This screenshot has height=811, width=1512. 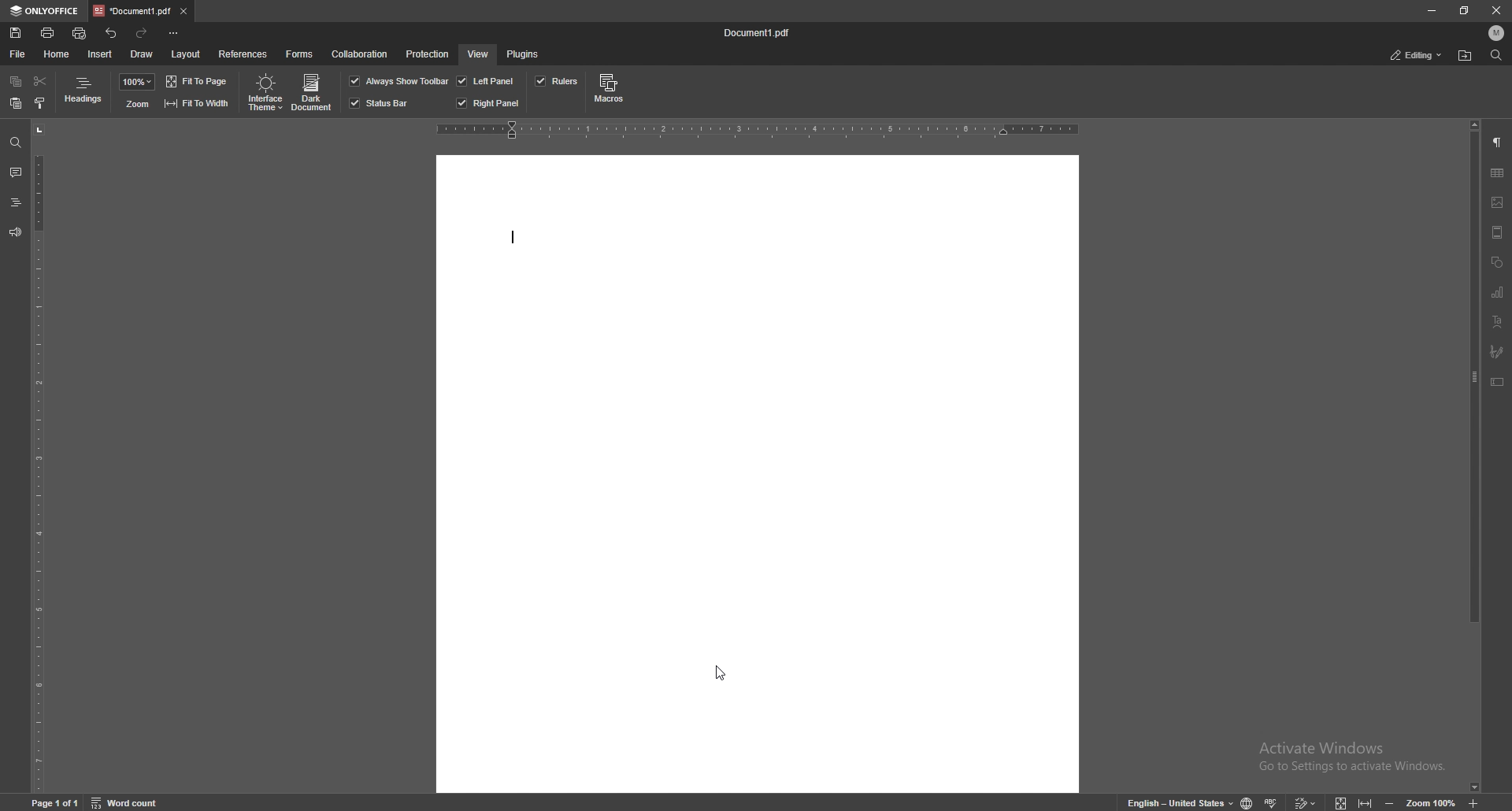 What do you see at coordinates (1498, 143) in the screenshot?
I see `paragraph` at bounding box center [1498, 143].